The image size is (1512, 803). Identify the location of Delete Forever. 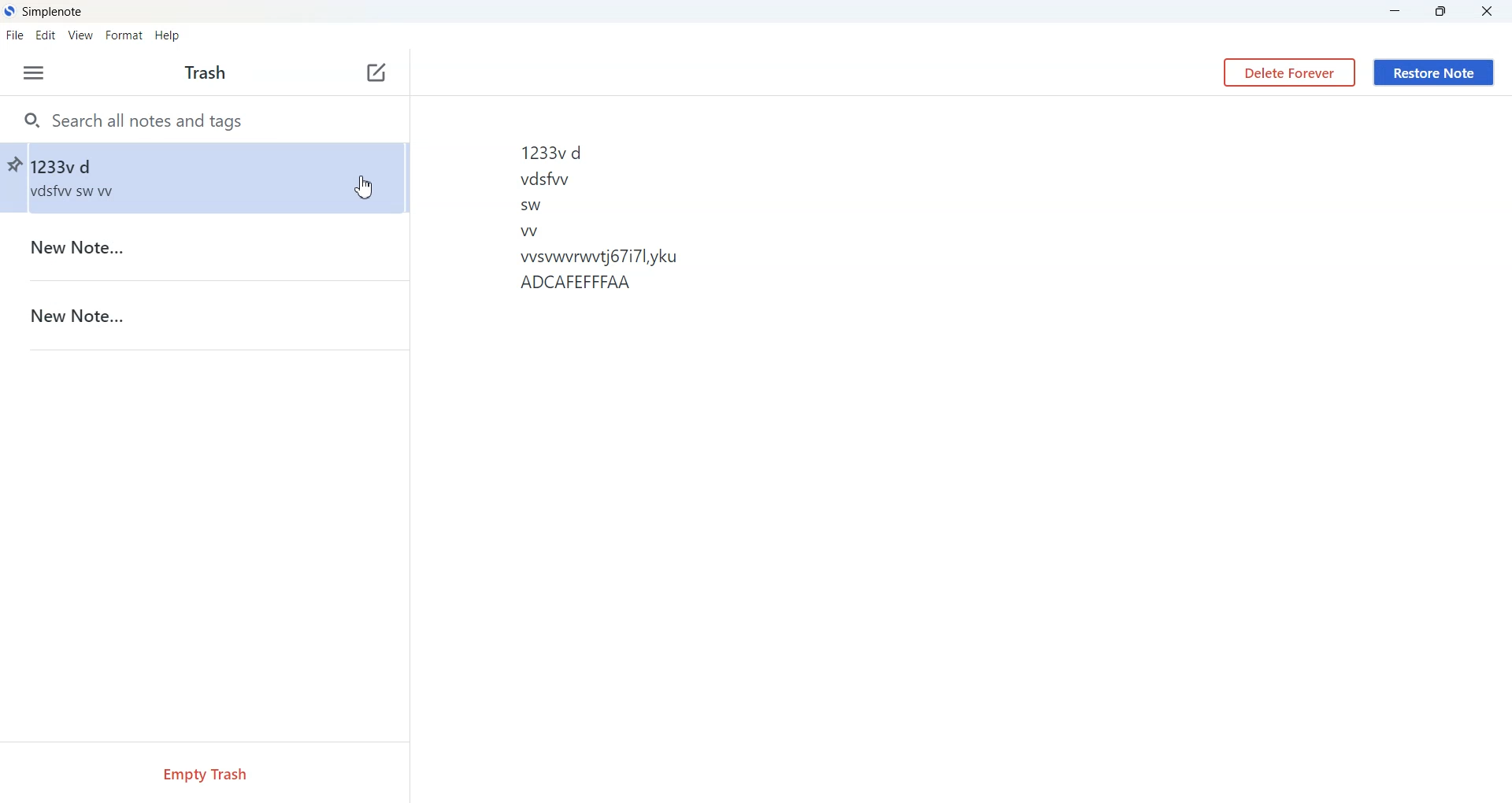
(1289, 72).